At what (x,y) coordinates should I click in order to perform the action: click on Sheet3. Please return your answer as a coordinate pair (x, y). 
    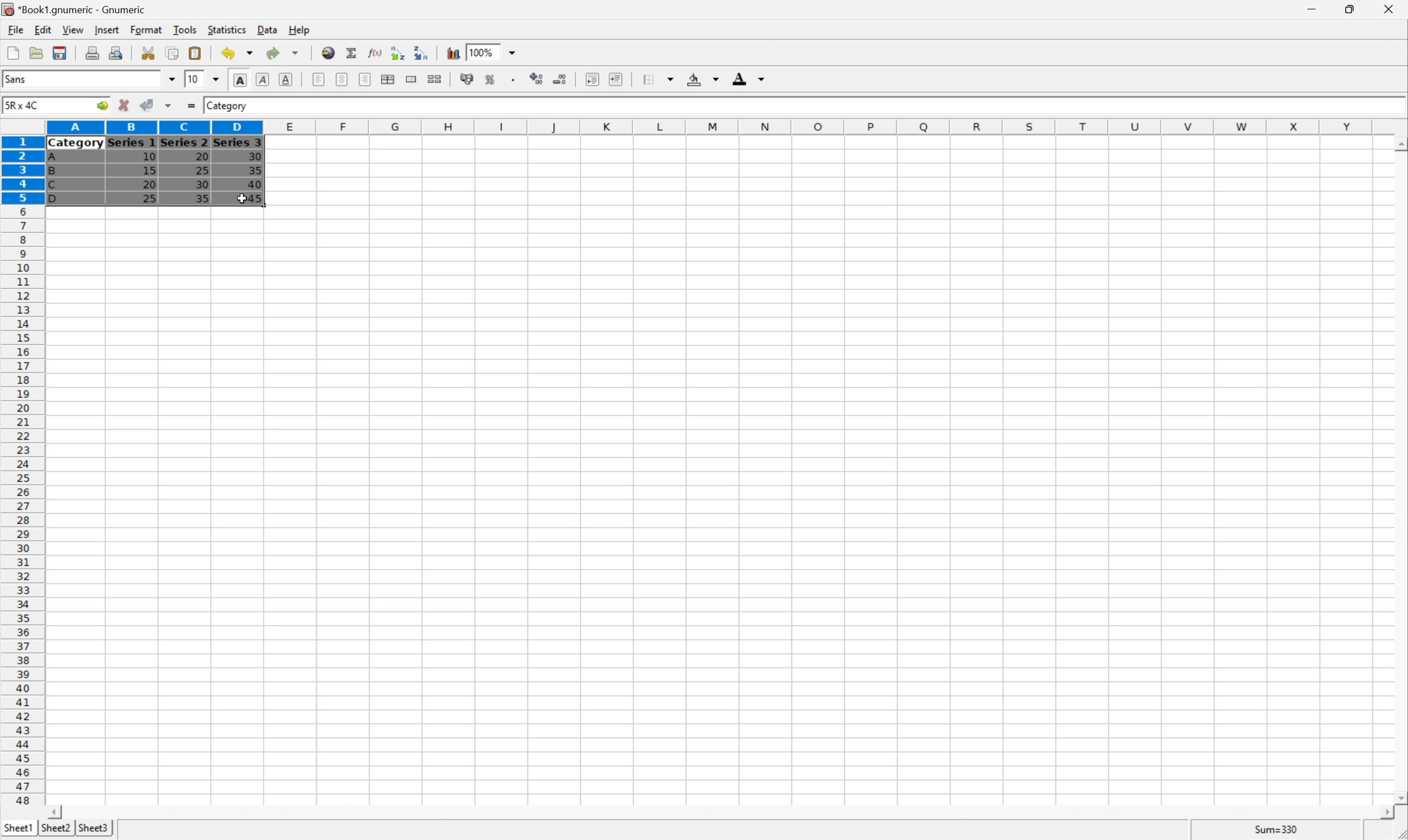
    Looking at the image, I should click on (95, 828).